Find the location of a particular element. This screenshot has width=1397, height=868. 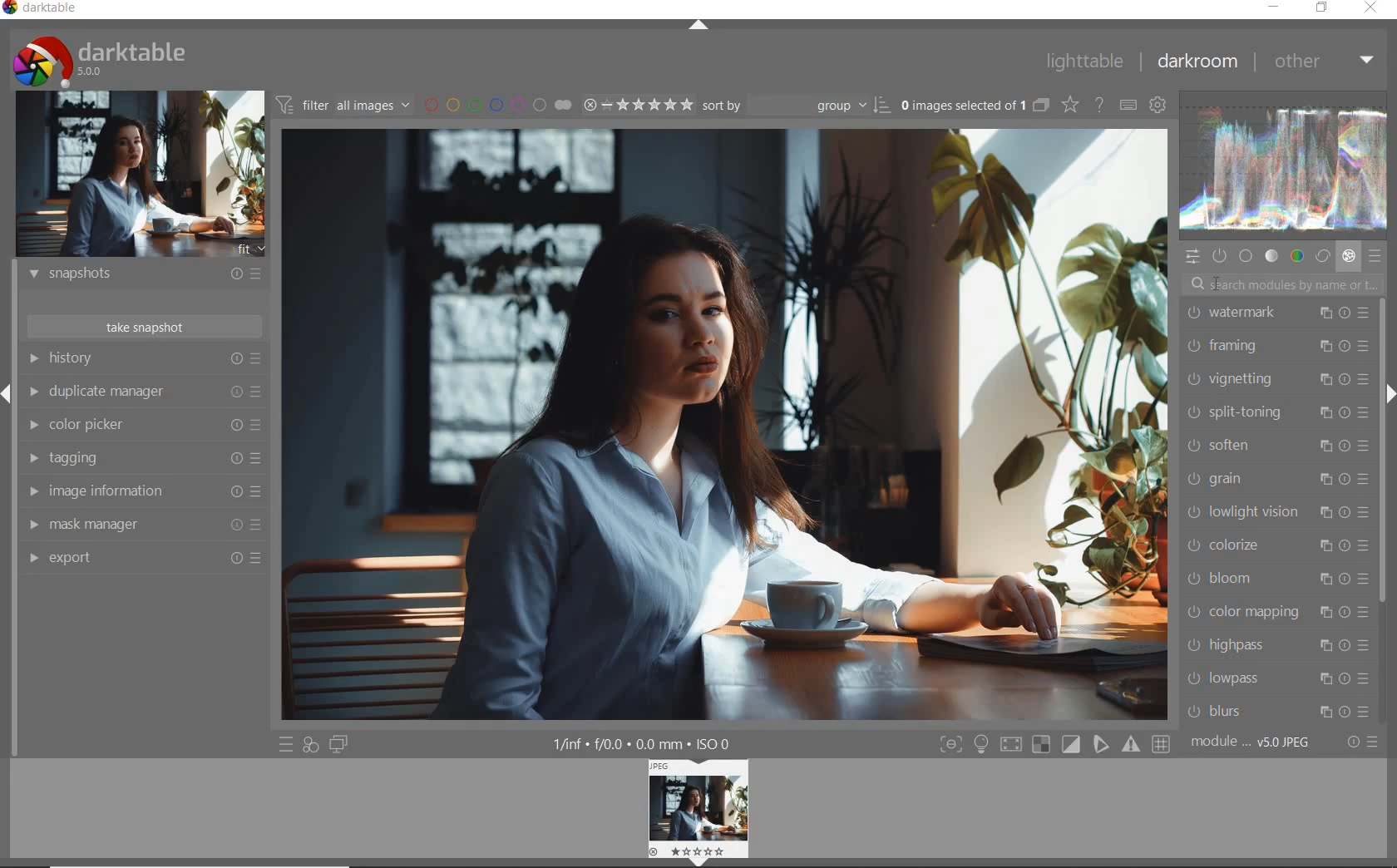

display a second darkroom image below is located at coordinates (339, 745).